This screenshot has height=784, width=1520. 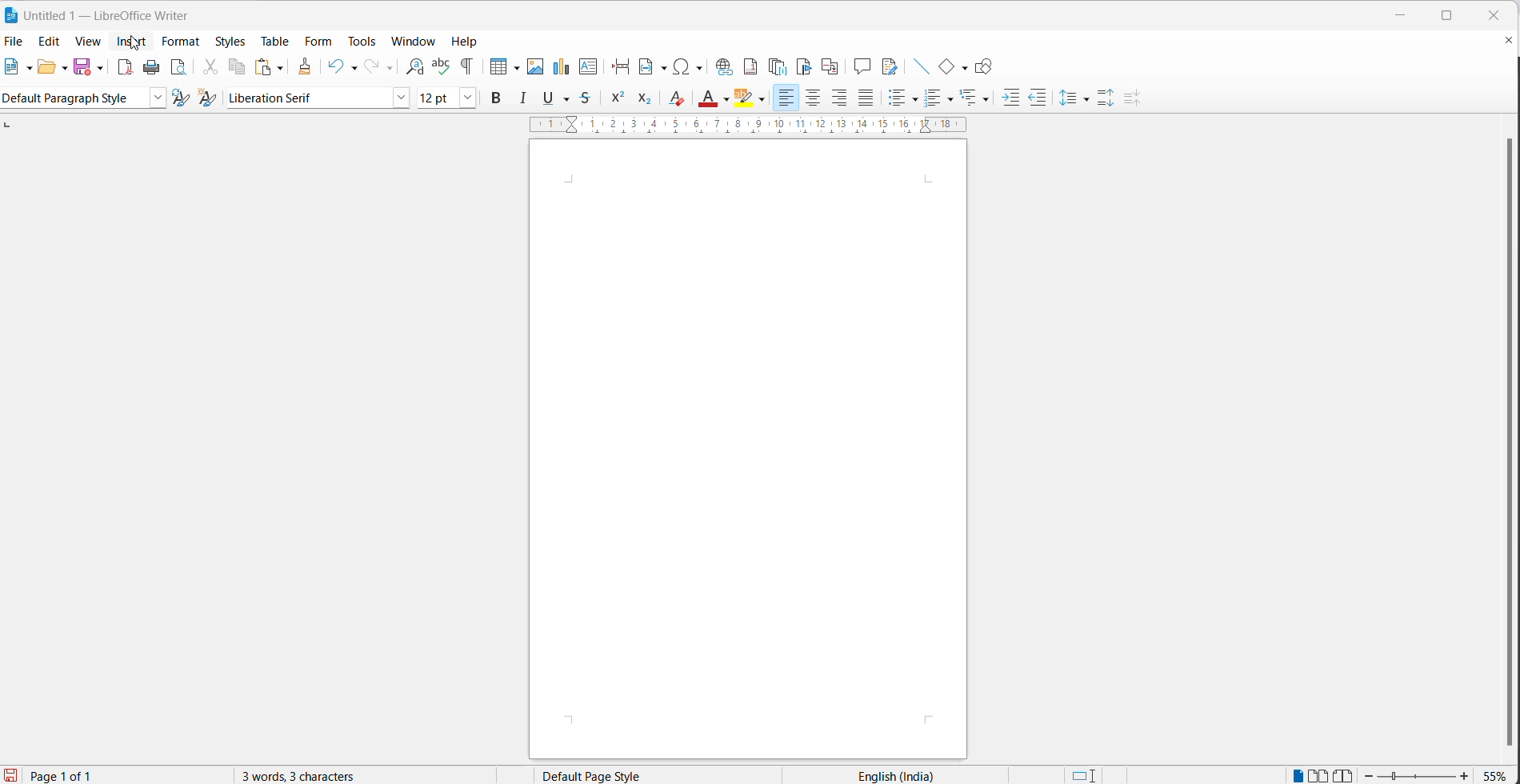 I want to click on show draw functions, so click(x=990, y=66).